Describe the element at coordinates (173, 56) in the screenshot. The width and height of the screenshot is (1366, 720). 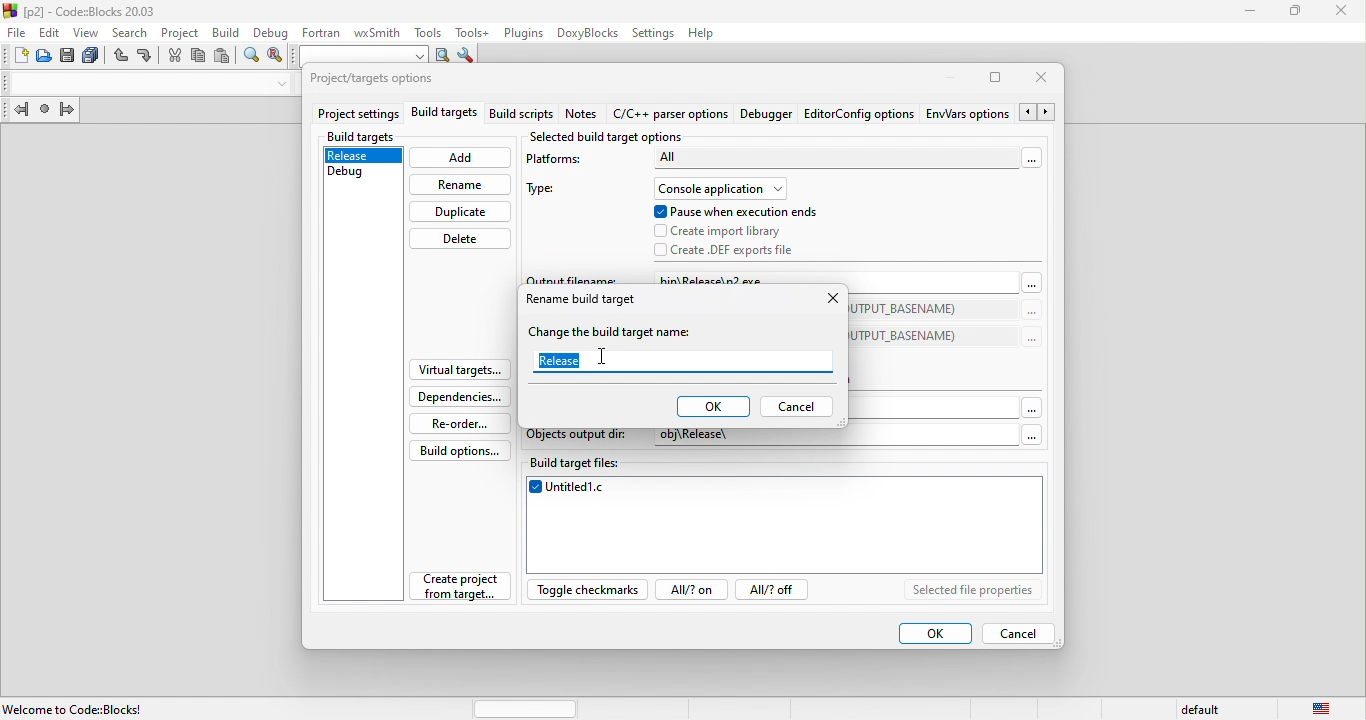
I see `cut` at that location.